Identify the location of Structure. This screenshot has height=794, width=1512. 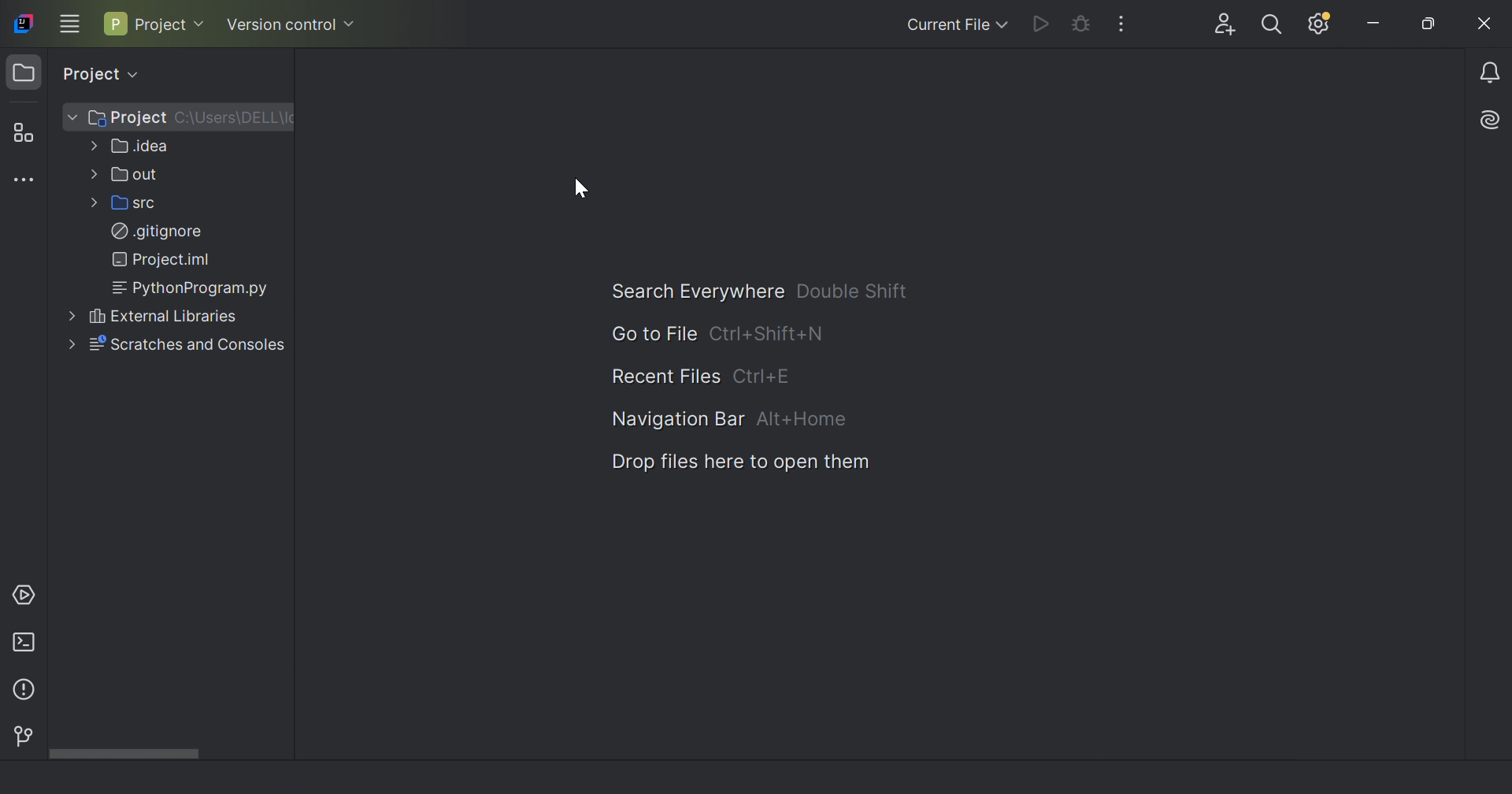
(24, 134).